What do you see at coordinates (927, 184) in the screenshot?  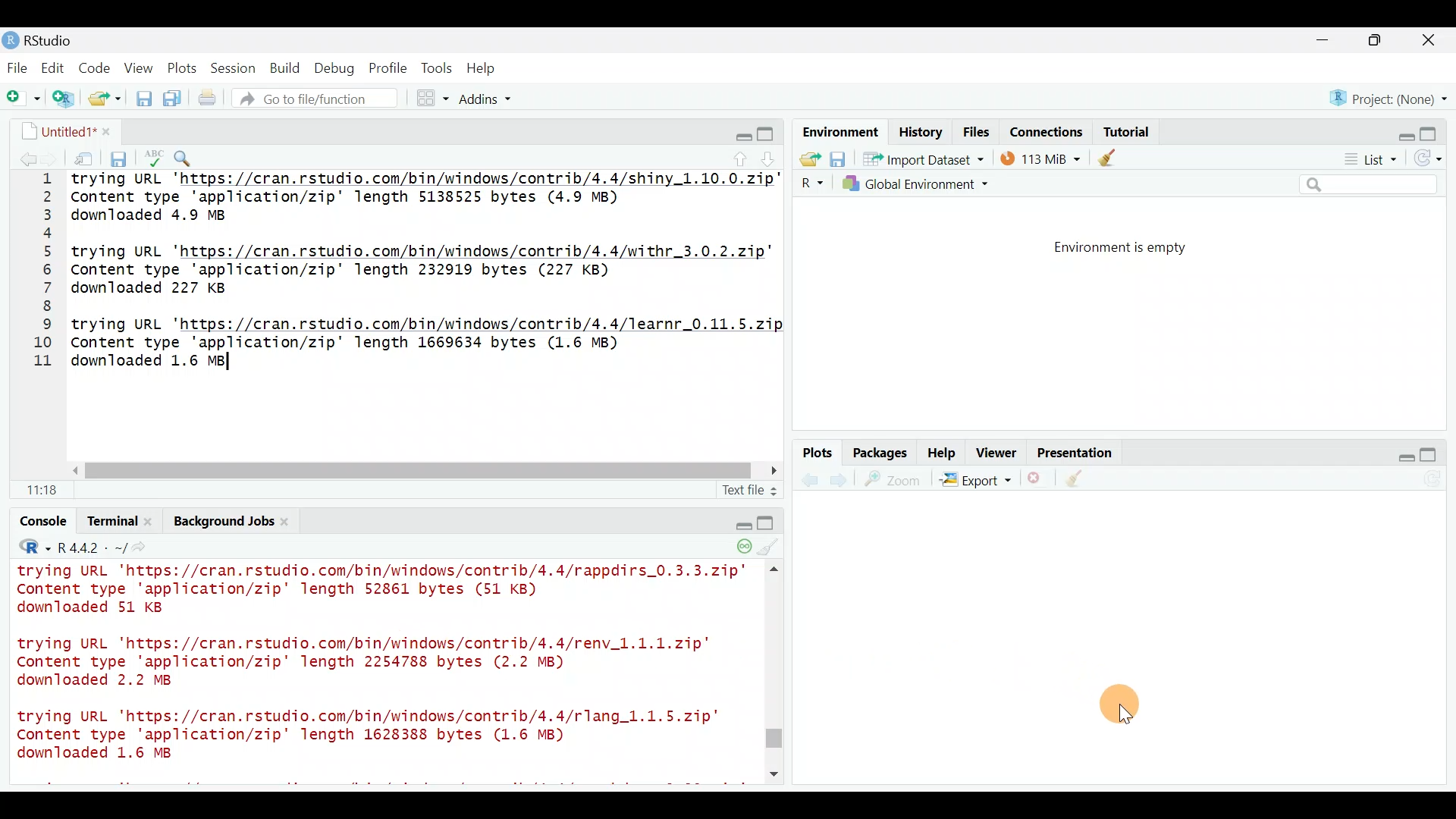 I see `Global Environment` at bounding box center [927, 184].